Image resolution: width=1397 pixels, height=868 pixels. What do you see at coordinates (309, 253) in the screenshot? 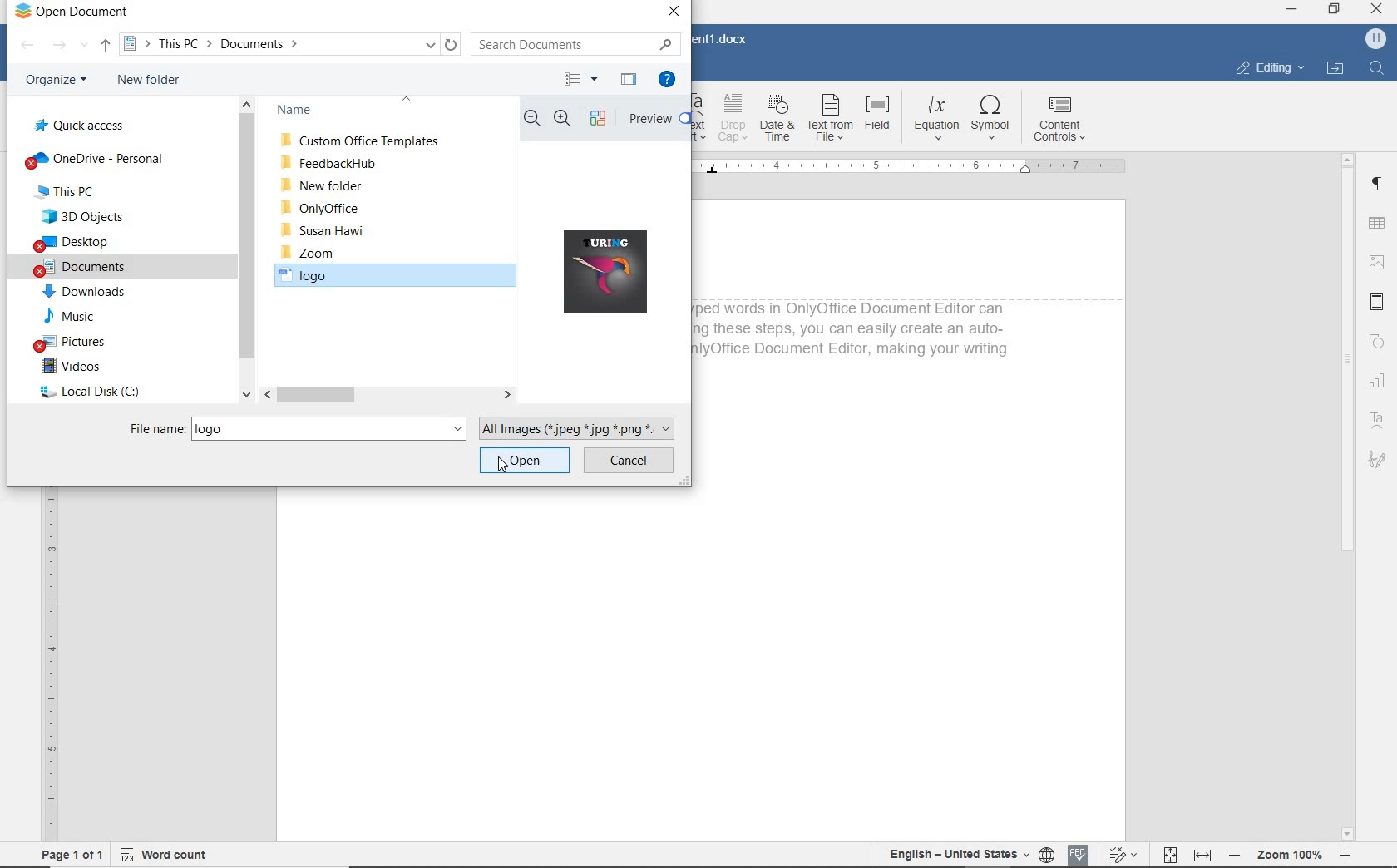
I see `Zoom` at bounding box center [309, 253].